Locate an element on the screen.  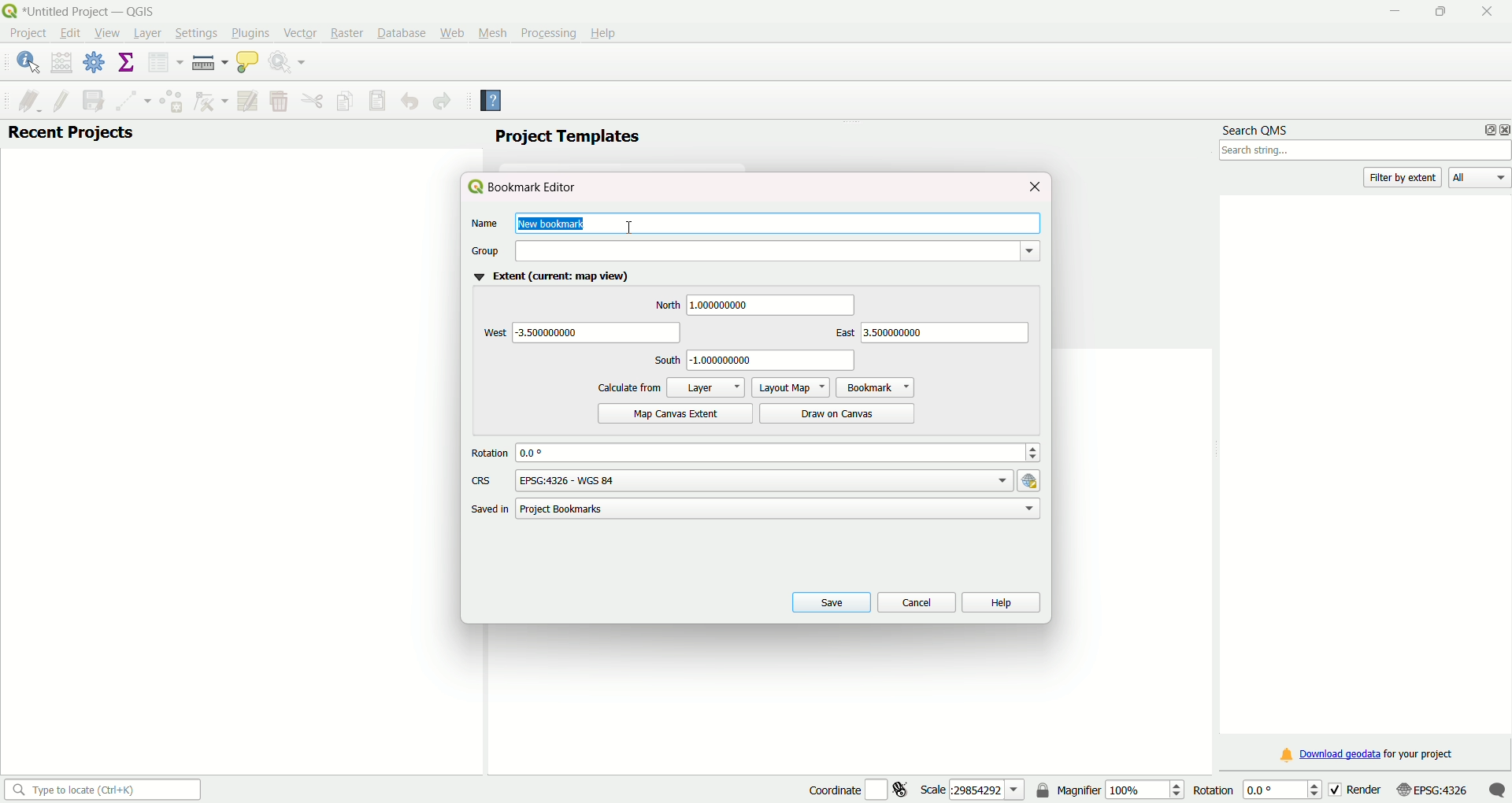
magnifier is located at coordinates (1121, 789).